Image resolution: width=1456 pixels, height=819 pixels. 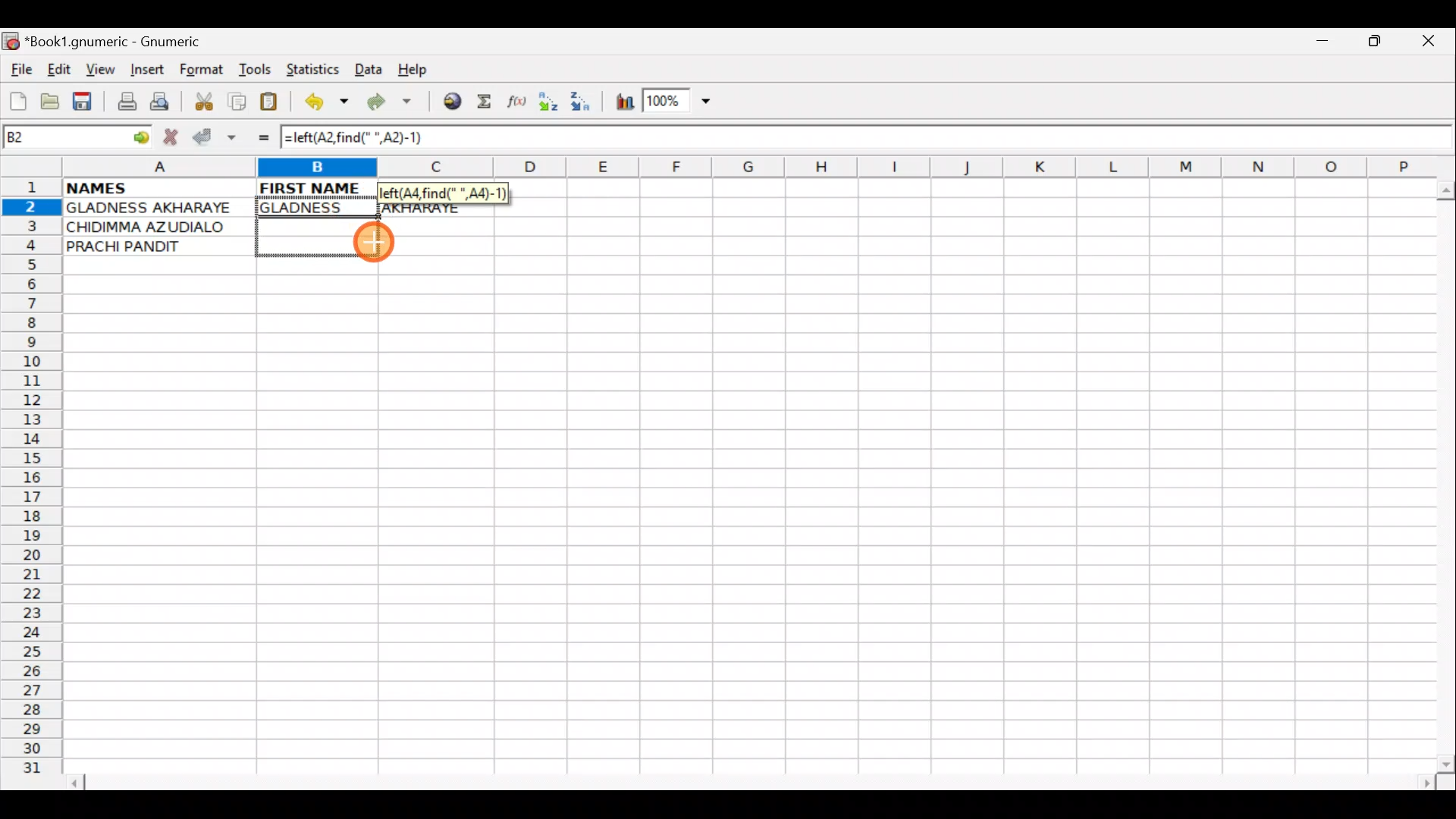 What do you see at coordinates (413, 70) in the screenshot?
I see `Help` at bounding box center [413, 70].